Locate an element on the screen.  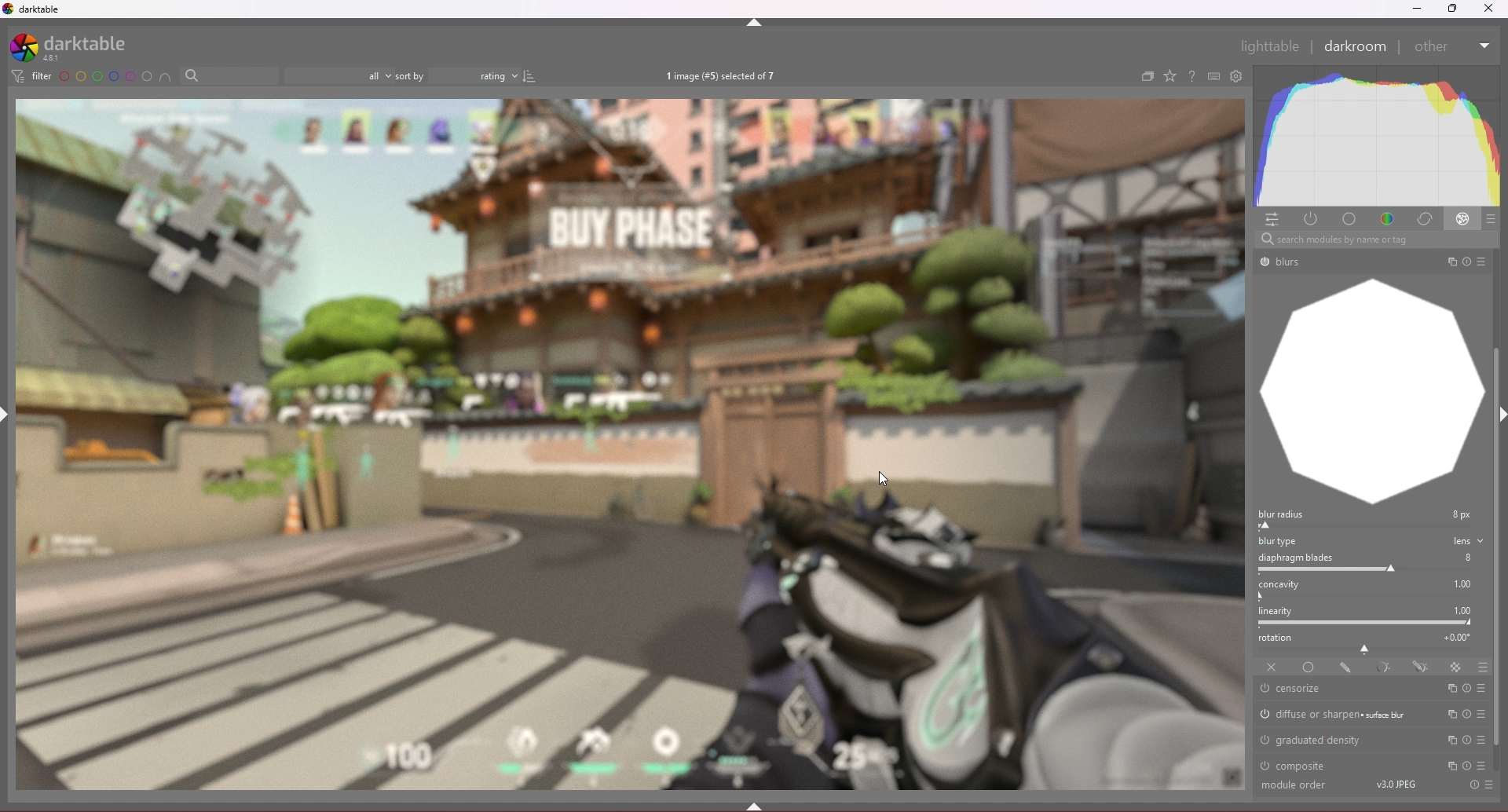
hide is located at coordinates (755, 23).